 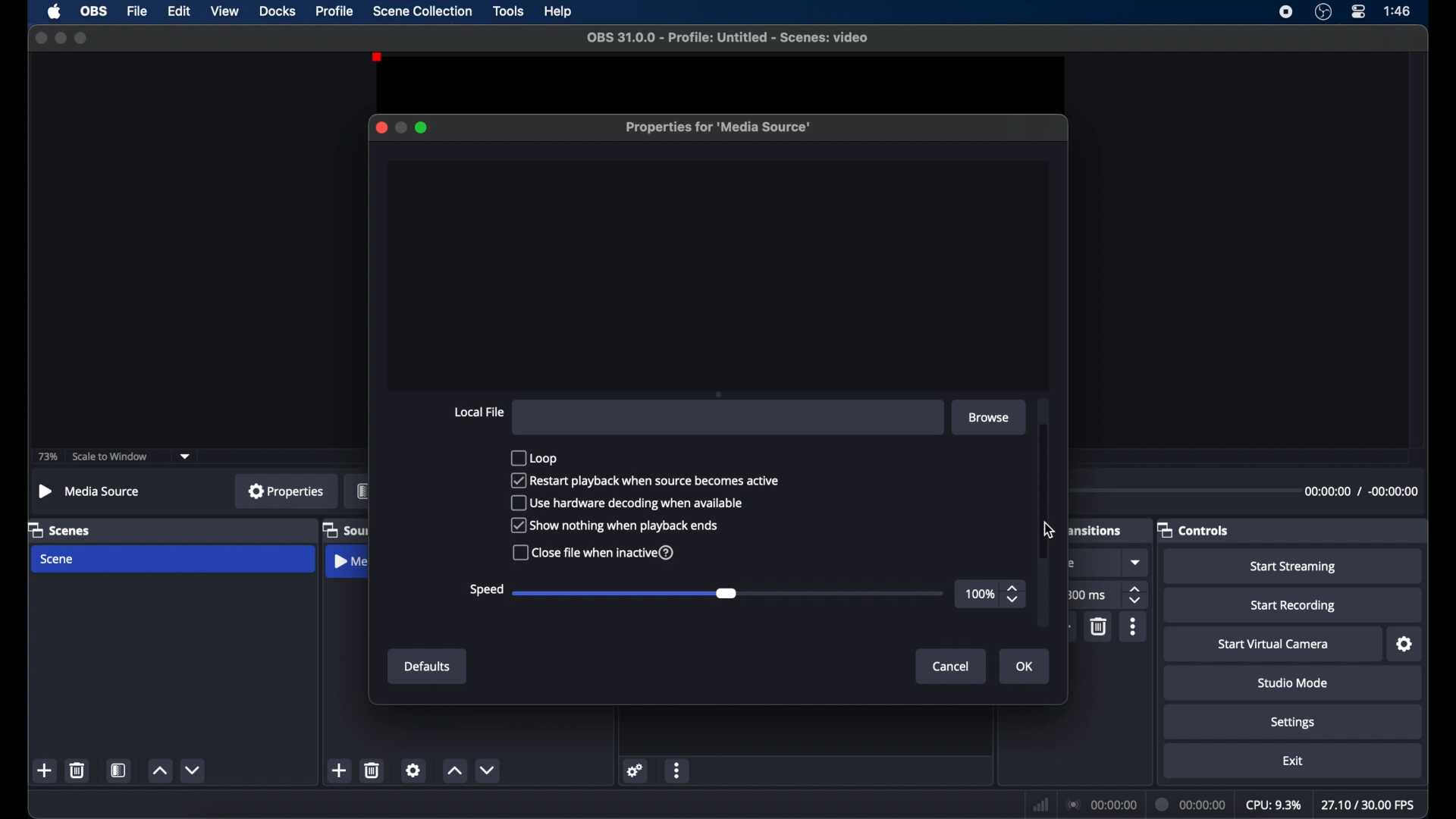 I want to click on stepper buttons, so click(x=1013, y=595).